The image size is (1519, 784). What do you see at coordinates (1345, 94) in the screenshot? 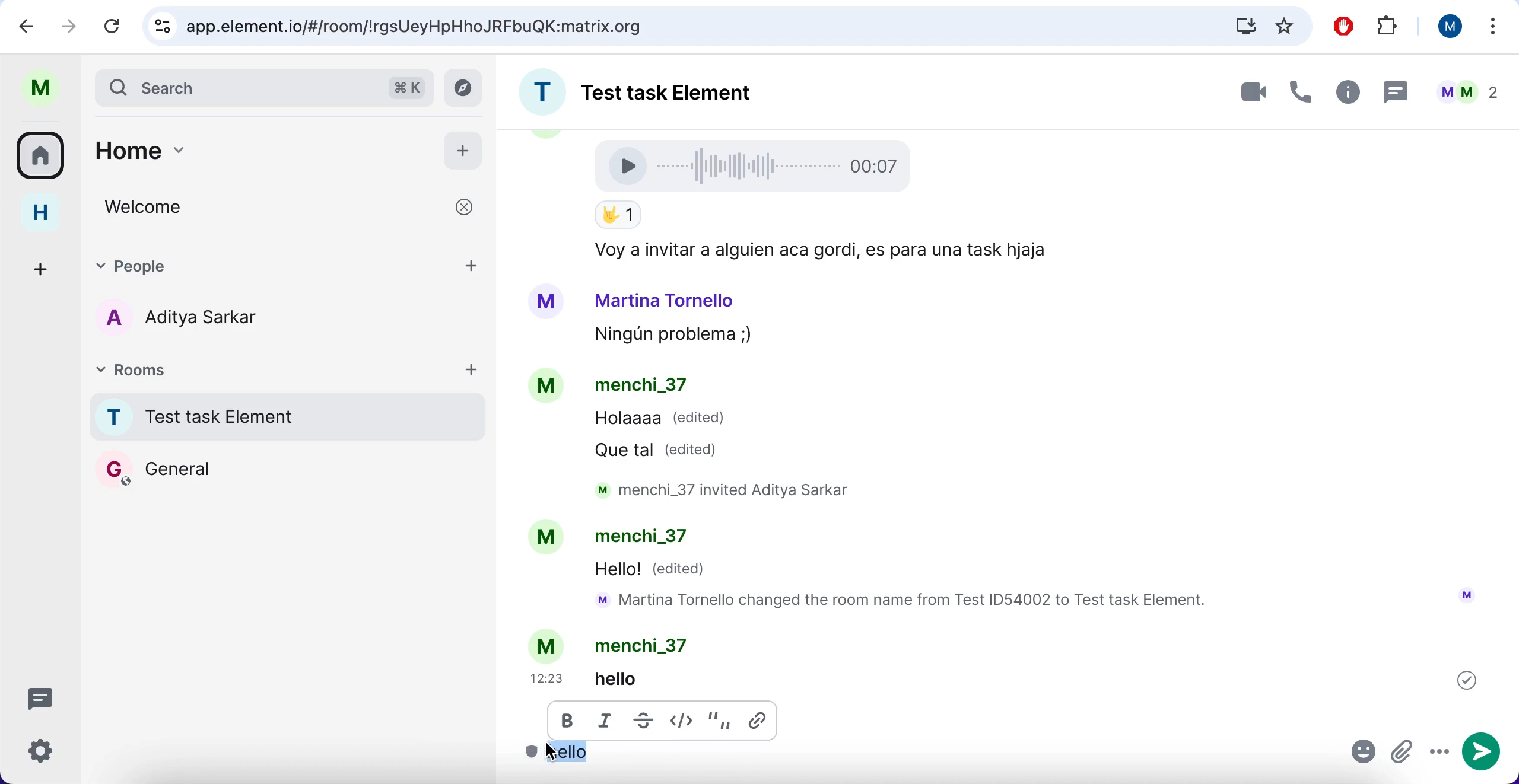
I see `room info` at bounding box center [1345, 94].